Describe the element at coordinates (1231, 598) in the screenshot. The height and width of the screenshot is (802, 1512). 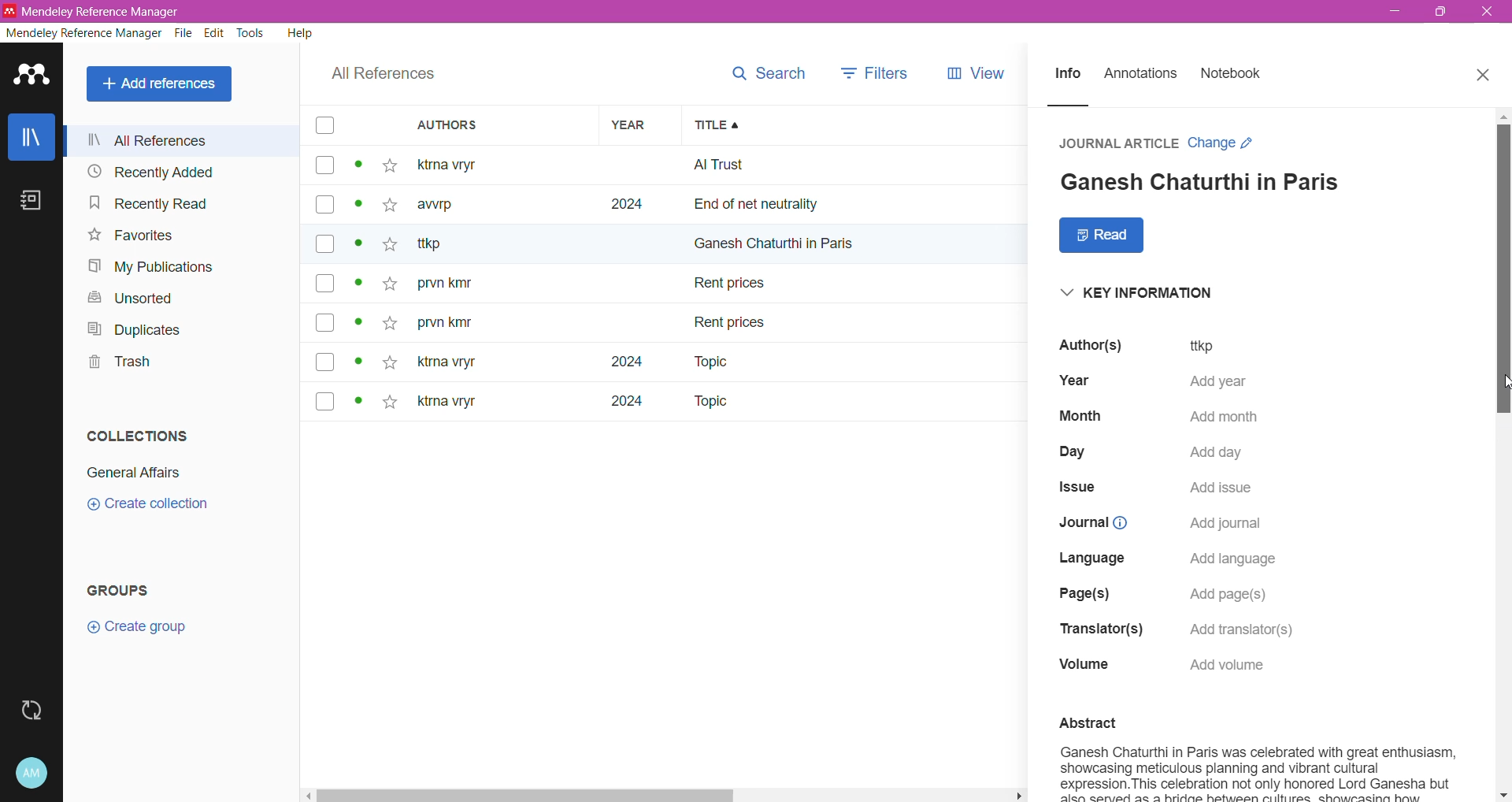
I see `Click to add number of pages` at that location.